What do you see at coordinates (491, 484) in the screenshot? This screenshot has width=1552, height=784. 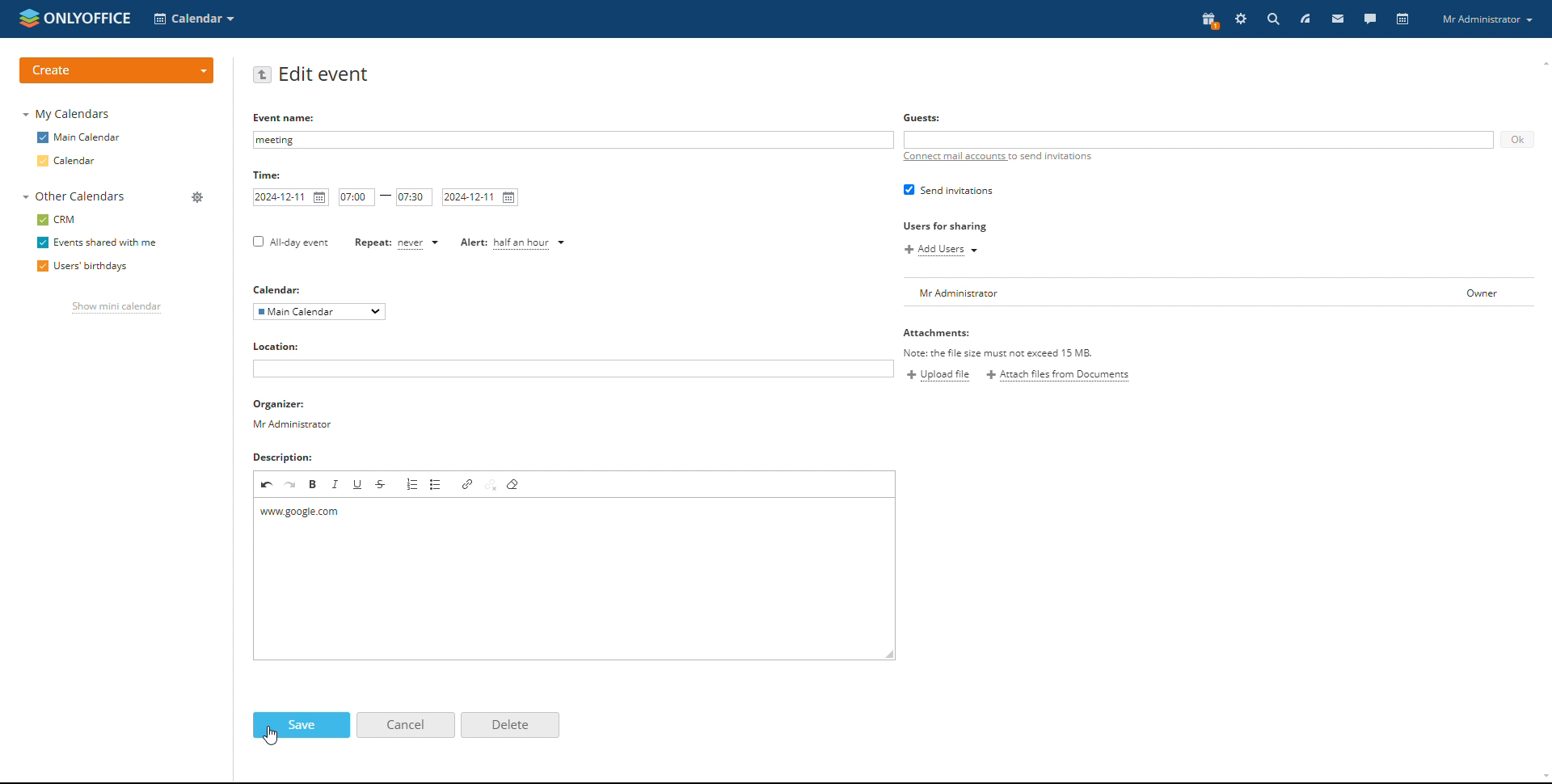 I see `unlink` at bounding box center [491, 484].